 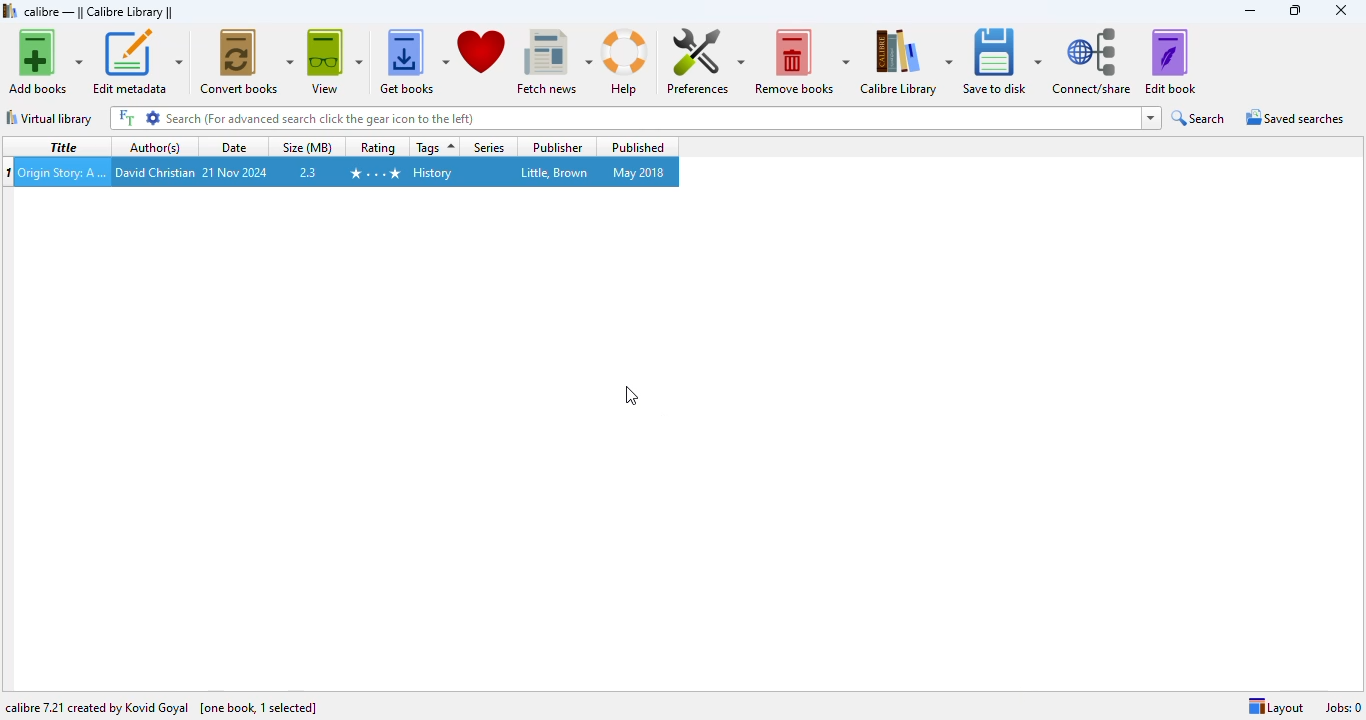 I want to click on rating, so click(x=377, y=147).